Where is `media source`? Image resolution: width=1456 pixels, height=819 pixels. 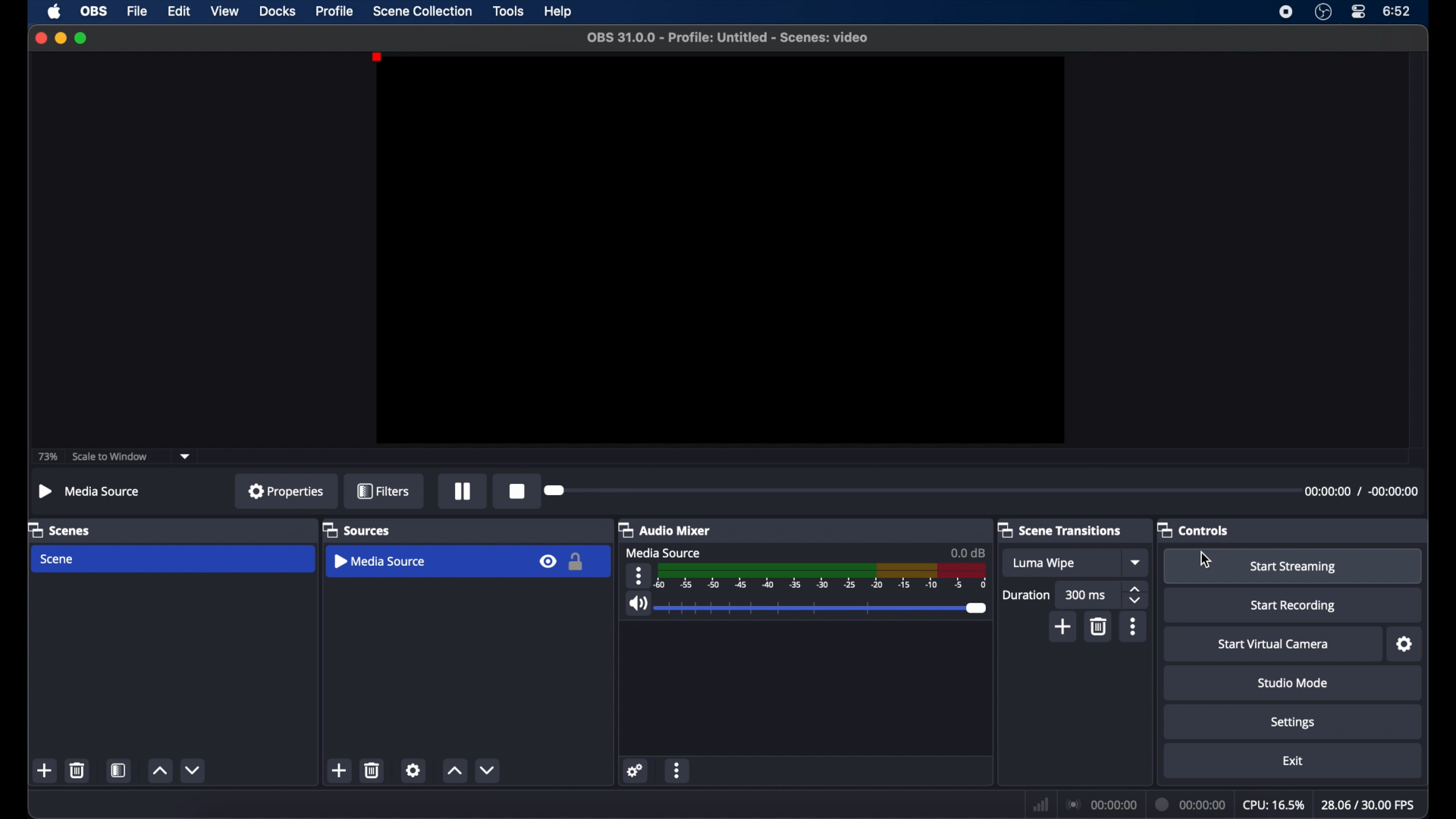 media source is located at coordinates (90, 491).